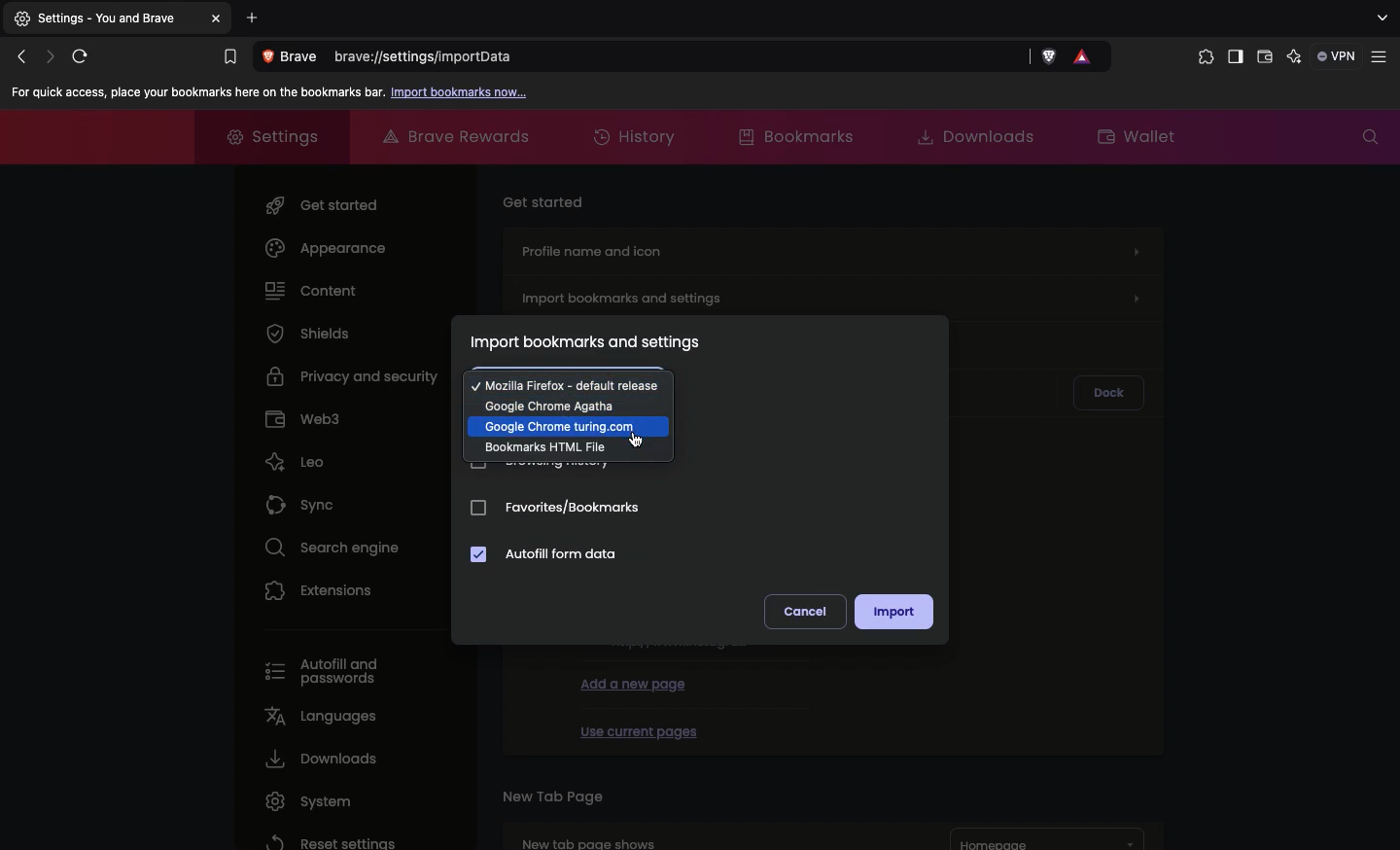 This screenshot has height=850, width=1400. I want to click on Search, so click(1370, 137).